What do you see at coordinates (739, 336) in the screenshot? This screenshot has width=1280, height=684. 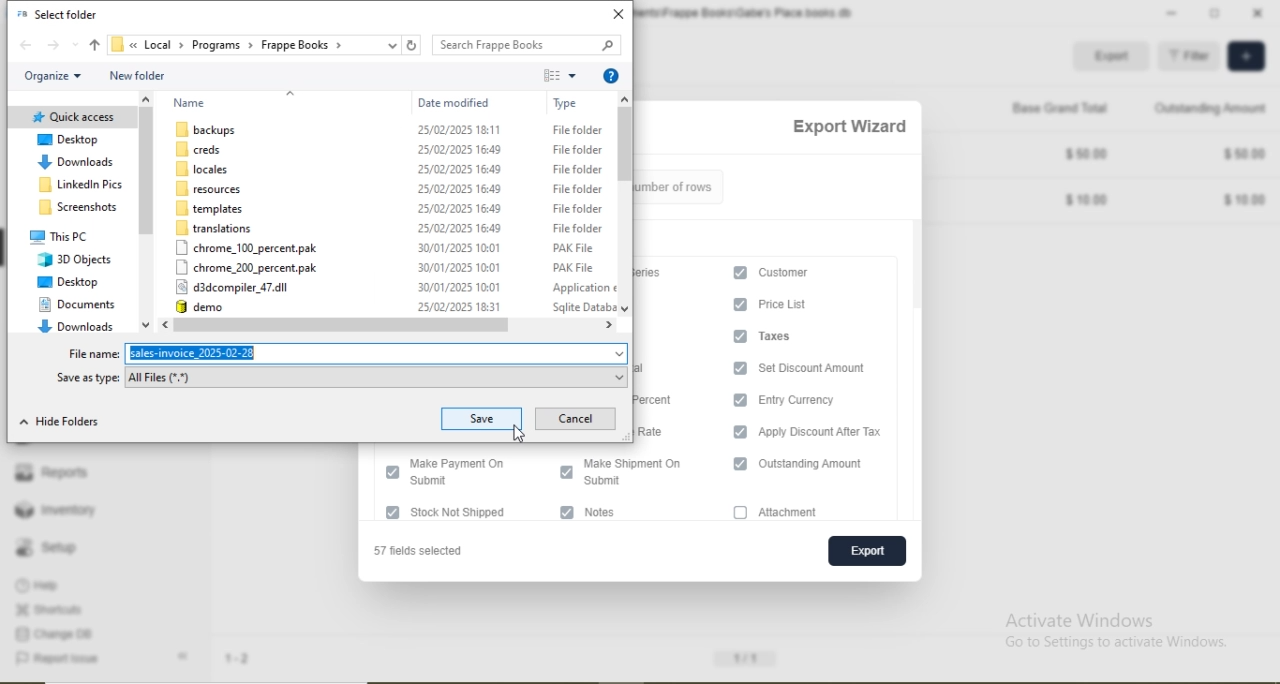 I see `checkbox` at bounding box center [739, 336].